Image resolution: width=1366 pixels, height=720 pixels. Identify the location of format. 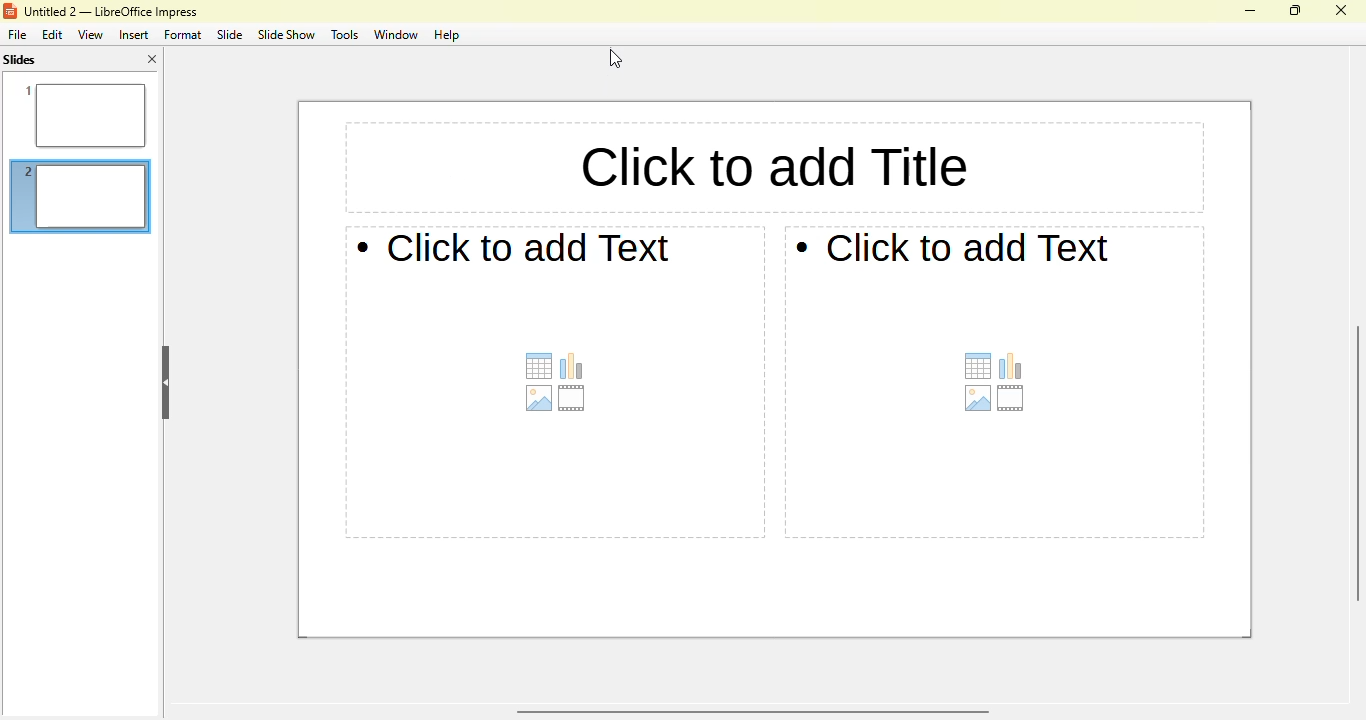
(183, 35).